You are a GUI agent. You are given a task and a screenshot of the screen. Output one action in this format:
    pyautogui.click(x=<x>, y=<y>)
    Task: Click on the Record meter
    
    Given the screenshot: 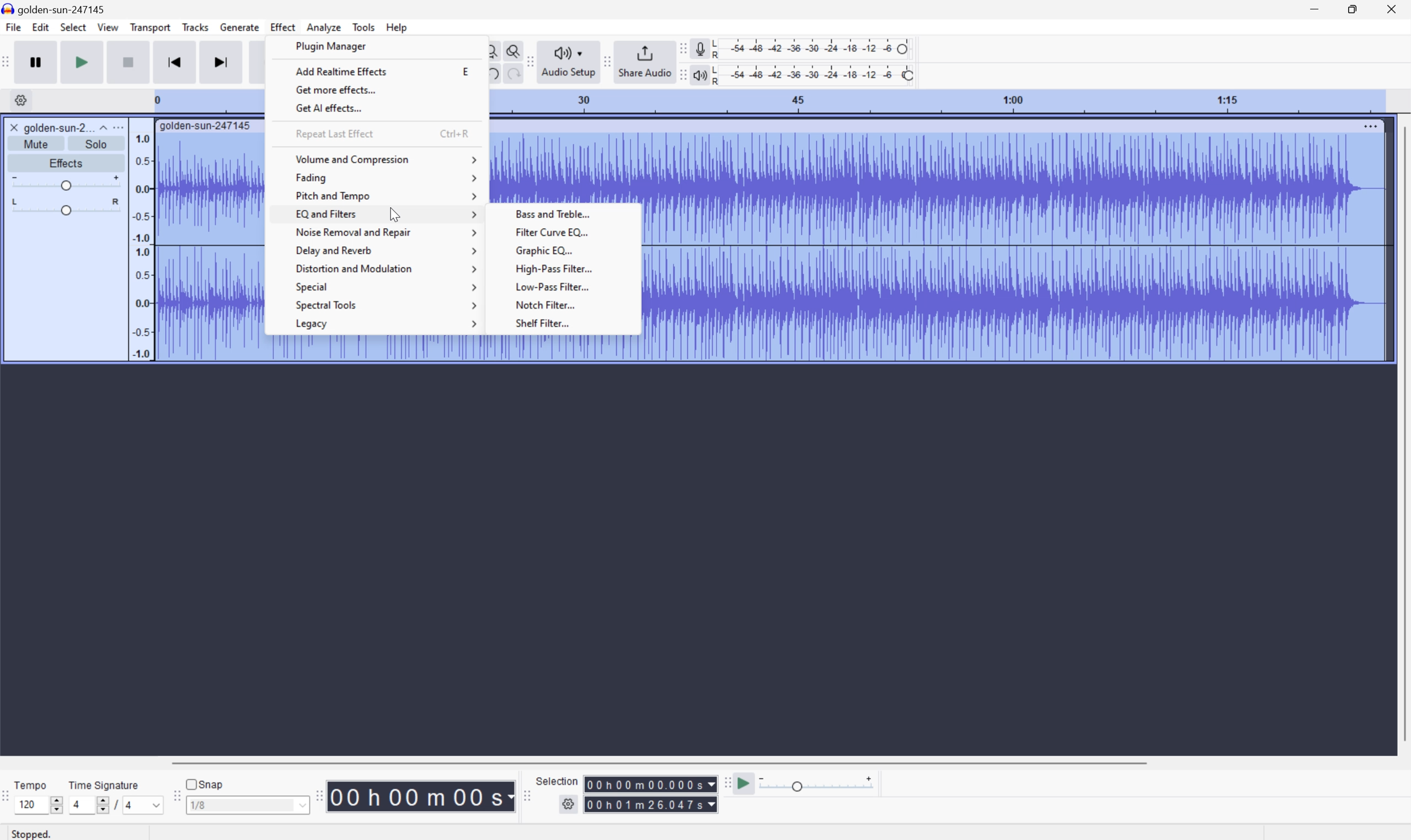 What is the action you would take?
    pyautogui.click(x=700, y=48)
    